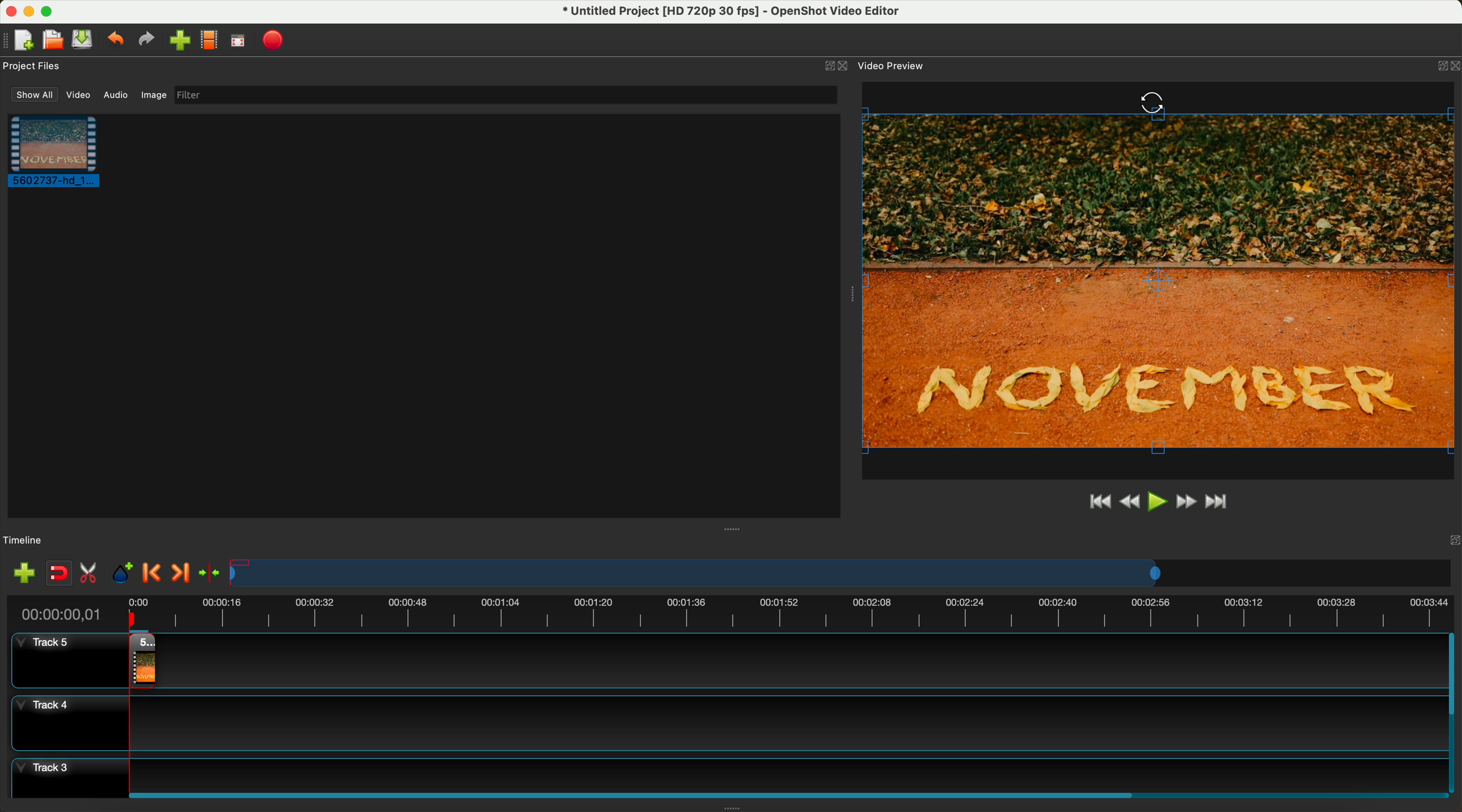  What do you see at coordinates (1156, 502) in the screenshot?
I see `play` at bounding box center [1156, 502].